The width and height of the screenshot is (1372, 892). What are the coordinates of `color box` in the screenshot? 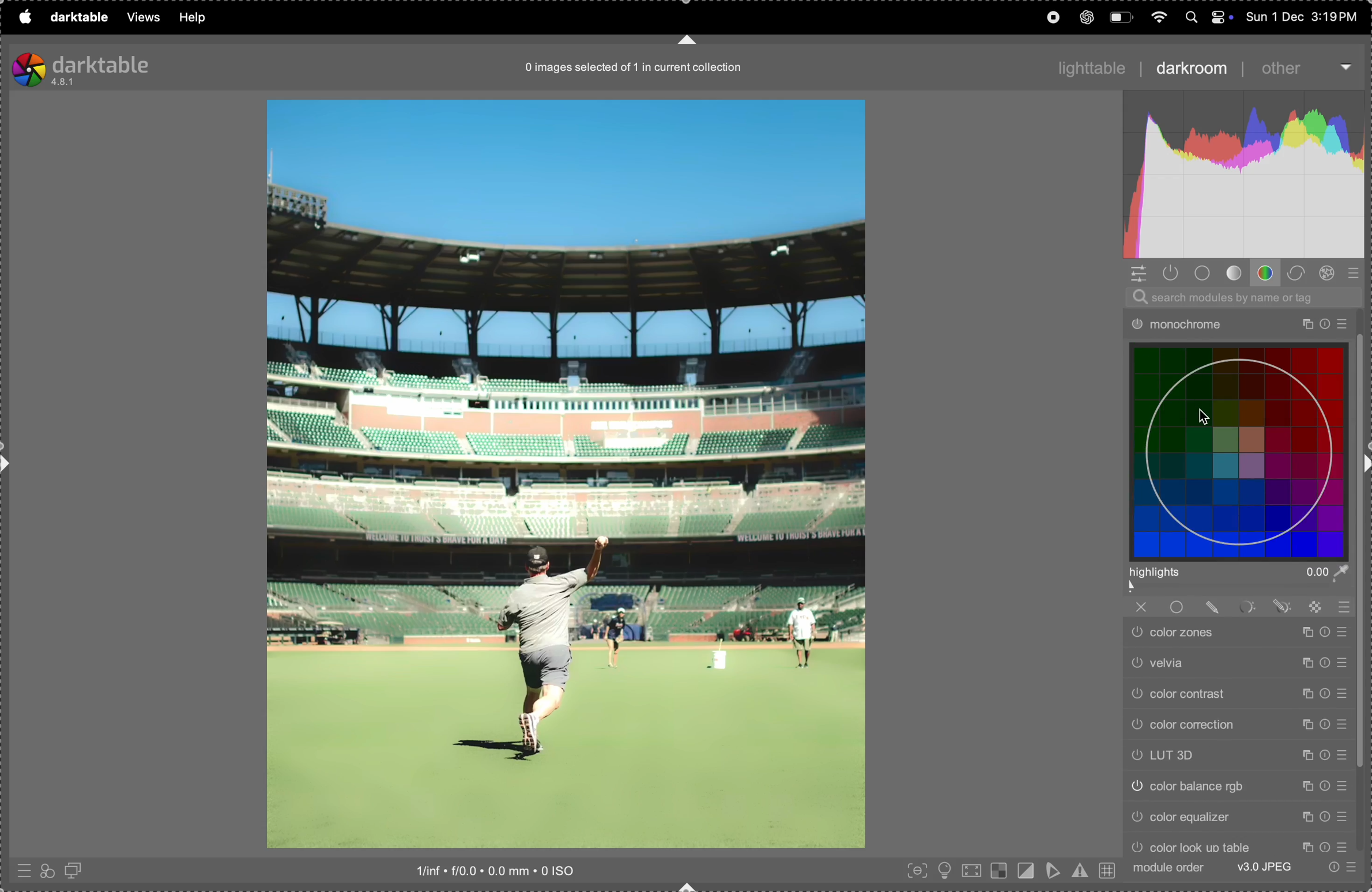 It's located at (1241, 450).